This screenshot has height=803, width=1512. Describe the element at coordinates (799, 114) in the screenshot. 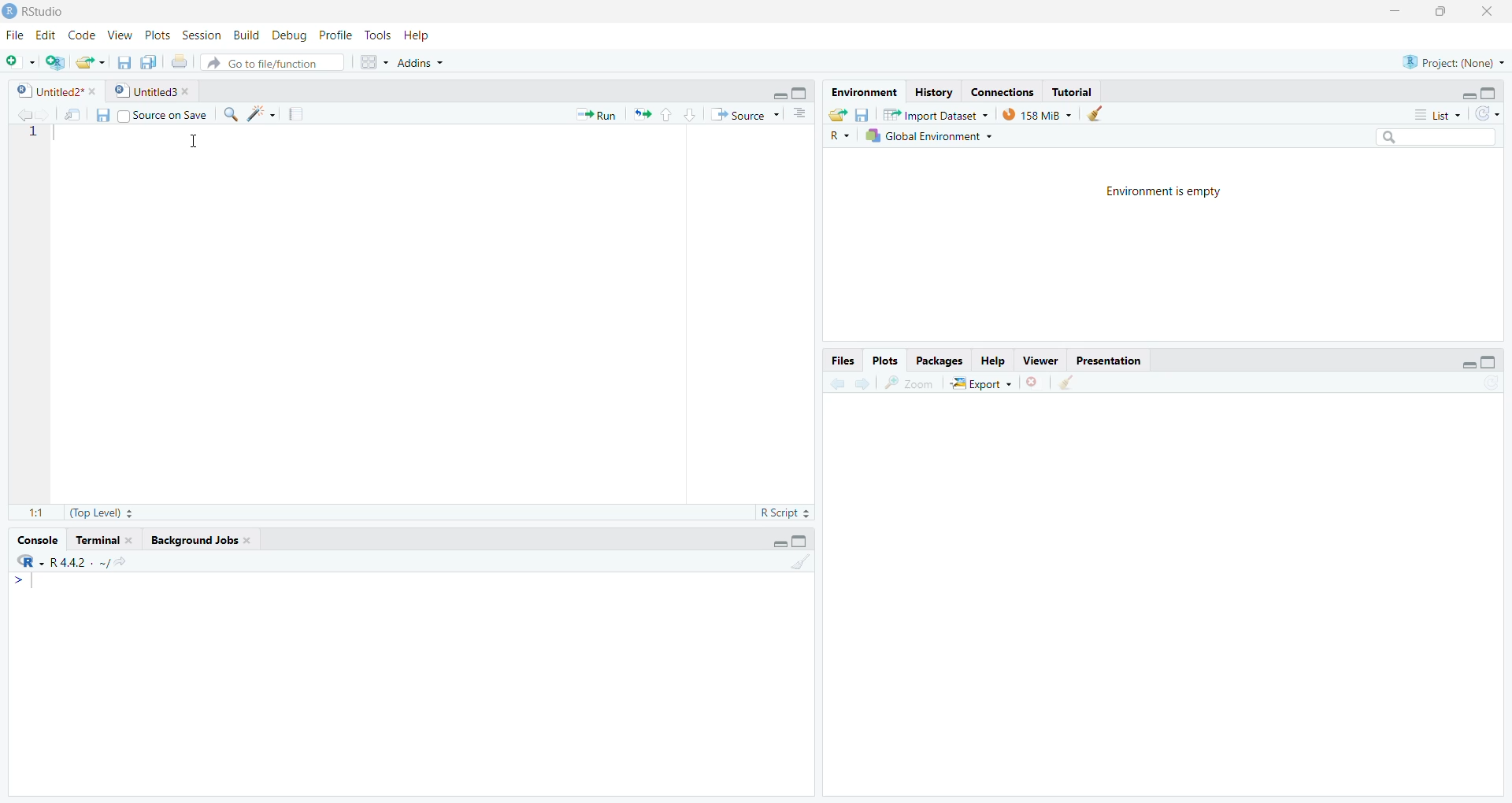

I see `` at that location.